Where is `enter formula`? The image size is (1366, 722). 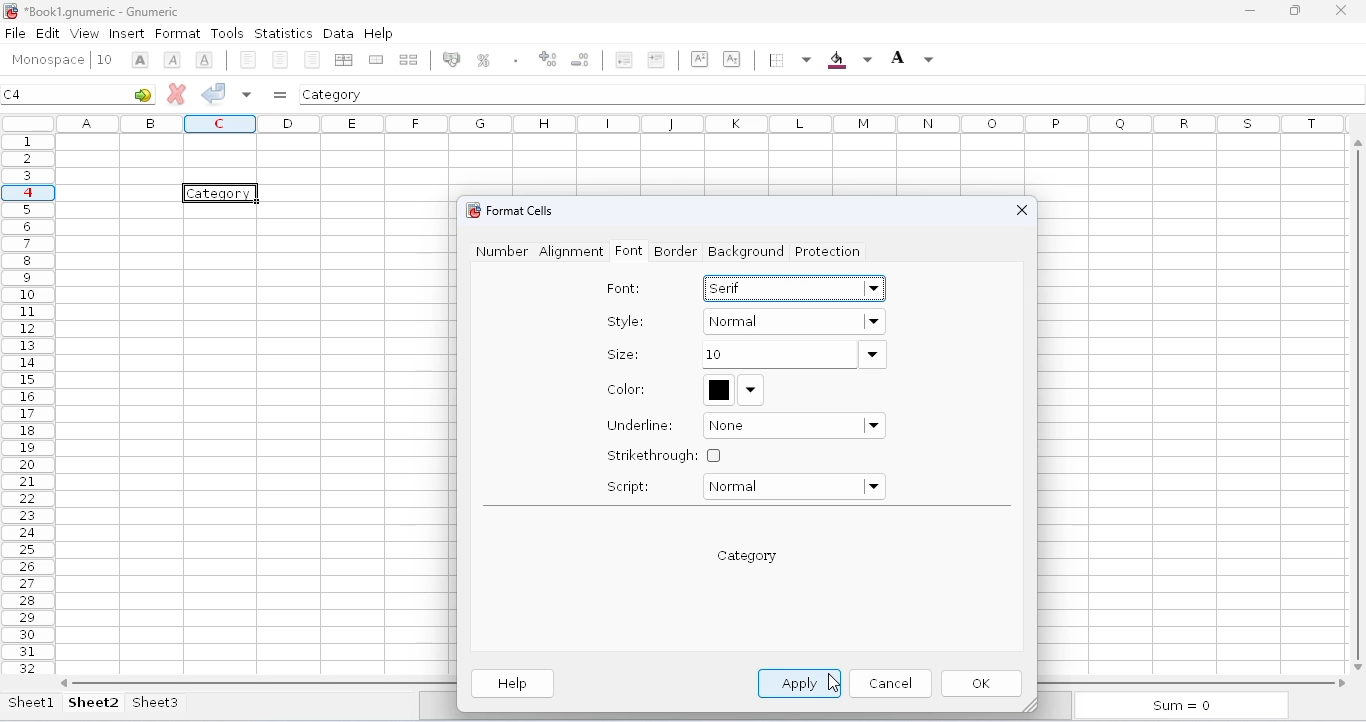
enter formula is located at coordinates (280, 95).